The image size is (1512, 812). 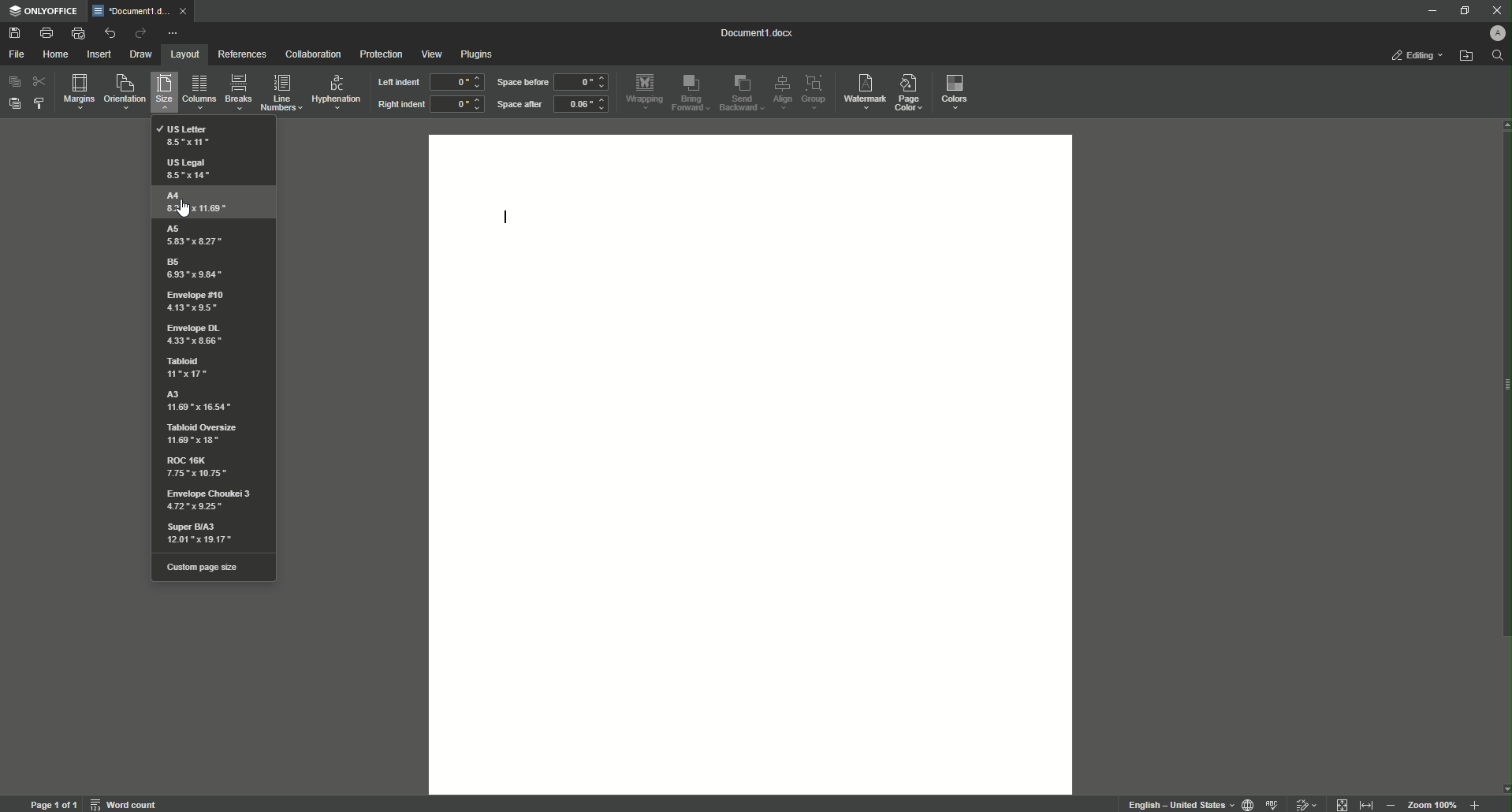 I want to click on Left indent, so click(x=397, y=83).